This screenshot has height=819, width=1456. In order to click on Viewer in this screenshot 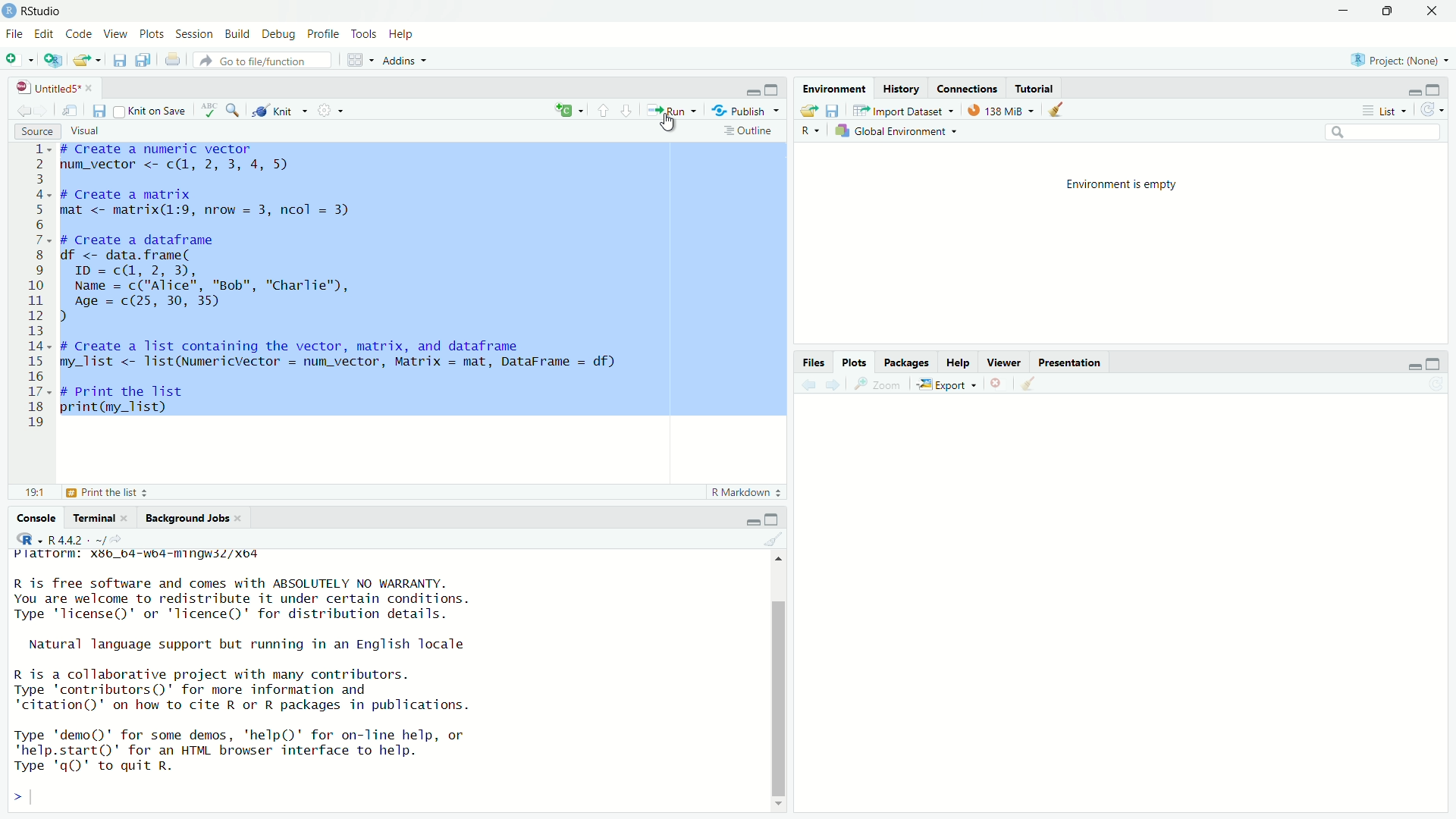, I will do `click(1005, 362)`.